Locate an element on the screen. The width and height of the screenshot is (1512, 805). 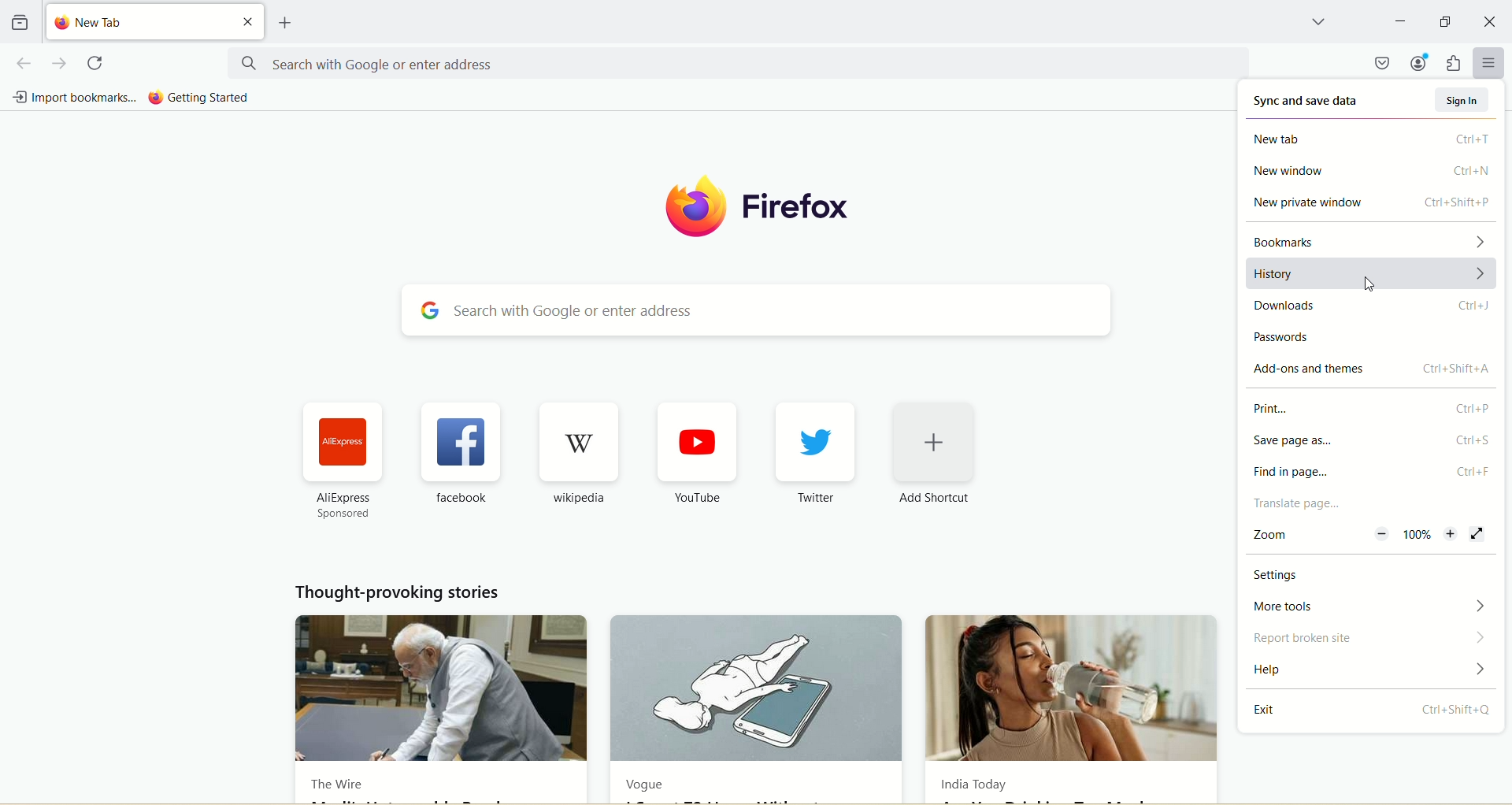
save to pocket is located at coordinates (1382, 63).